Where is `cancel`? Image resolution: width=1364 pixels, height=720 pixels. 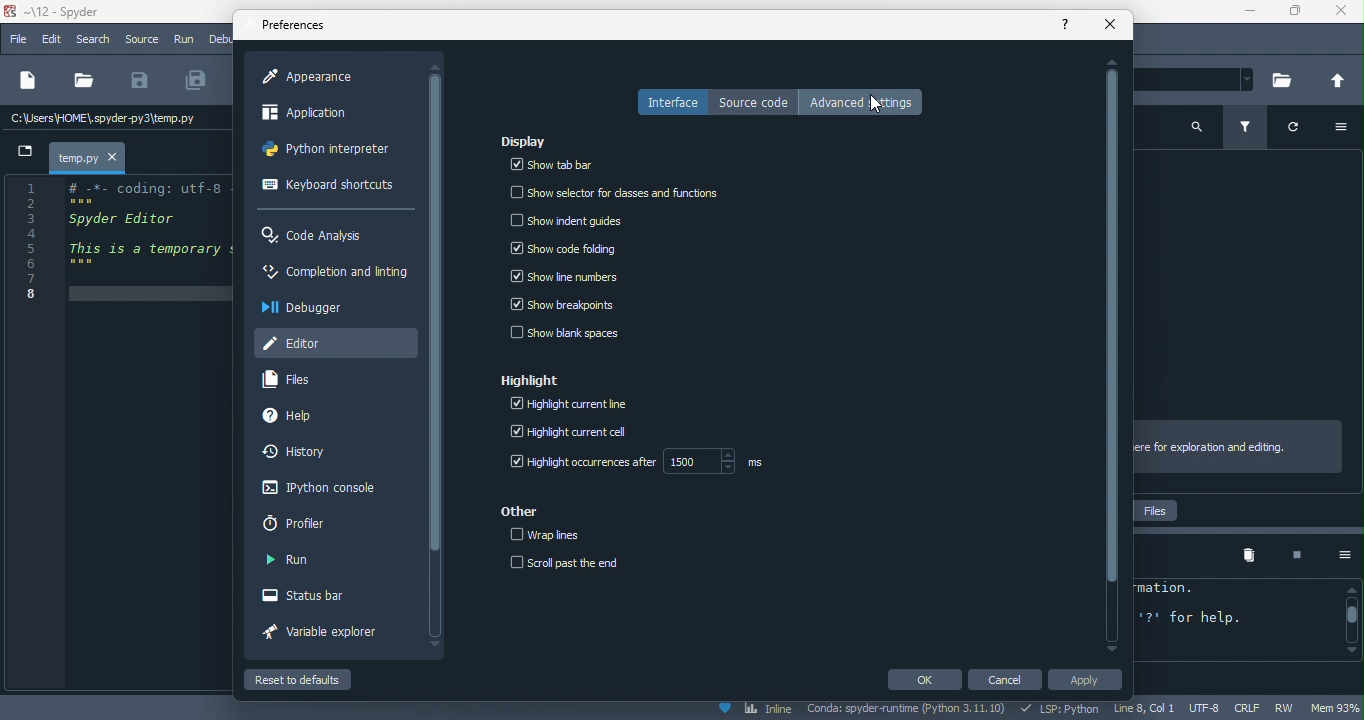 cancel is located at coordinates (1008, 680).